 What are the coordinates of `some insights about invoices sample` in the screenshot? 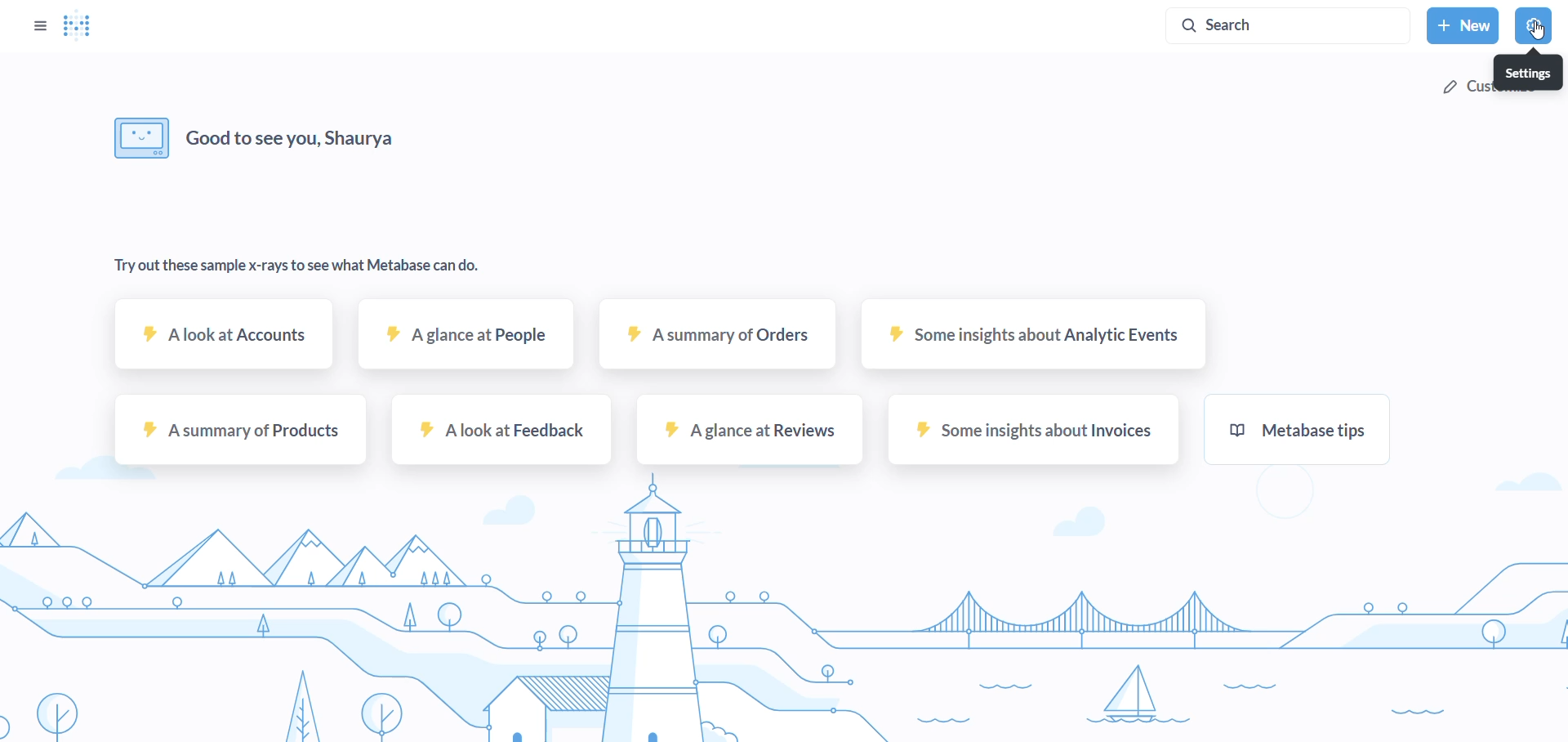 It's located at (1033, 435).